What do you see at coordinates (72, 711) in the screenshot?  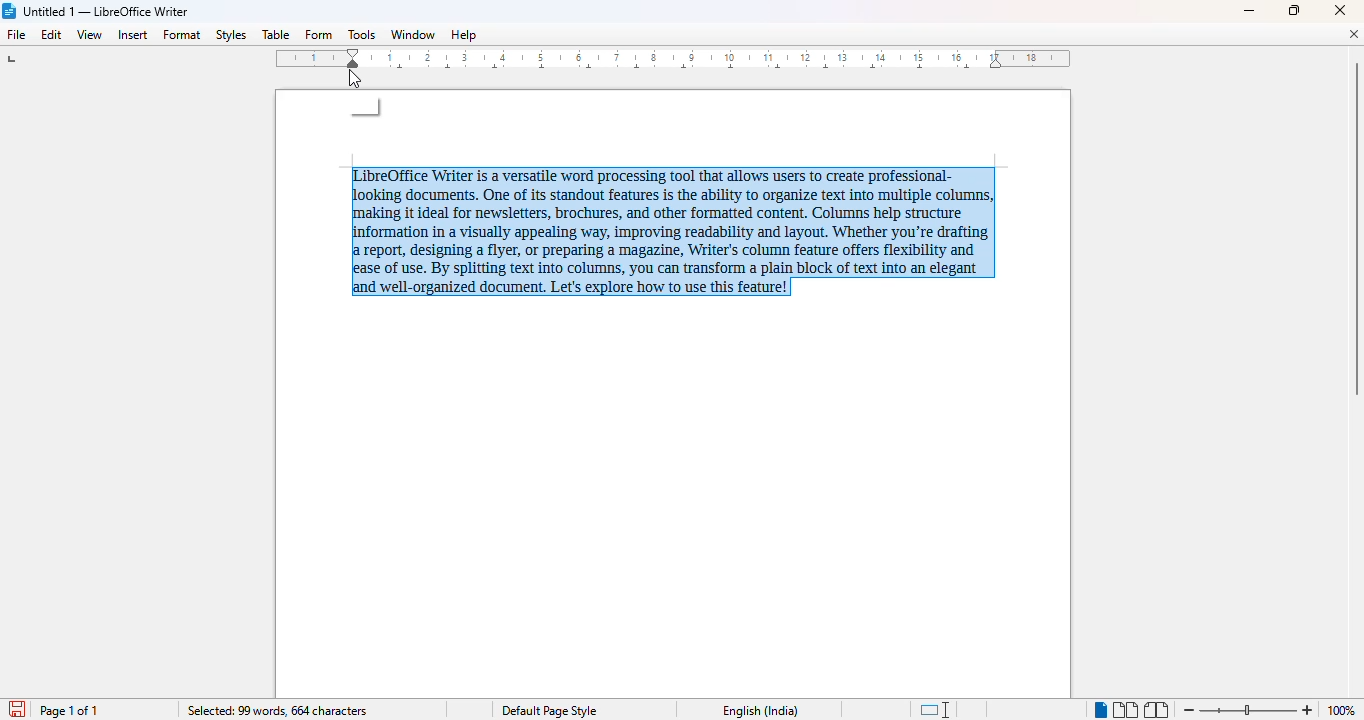 I see `page 1 of 1` at bounding box center [72, 711].